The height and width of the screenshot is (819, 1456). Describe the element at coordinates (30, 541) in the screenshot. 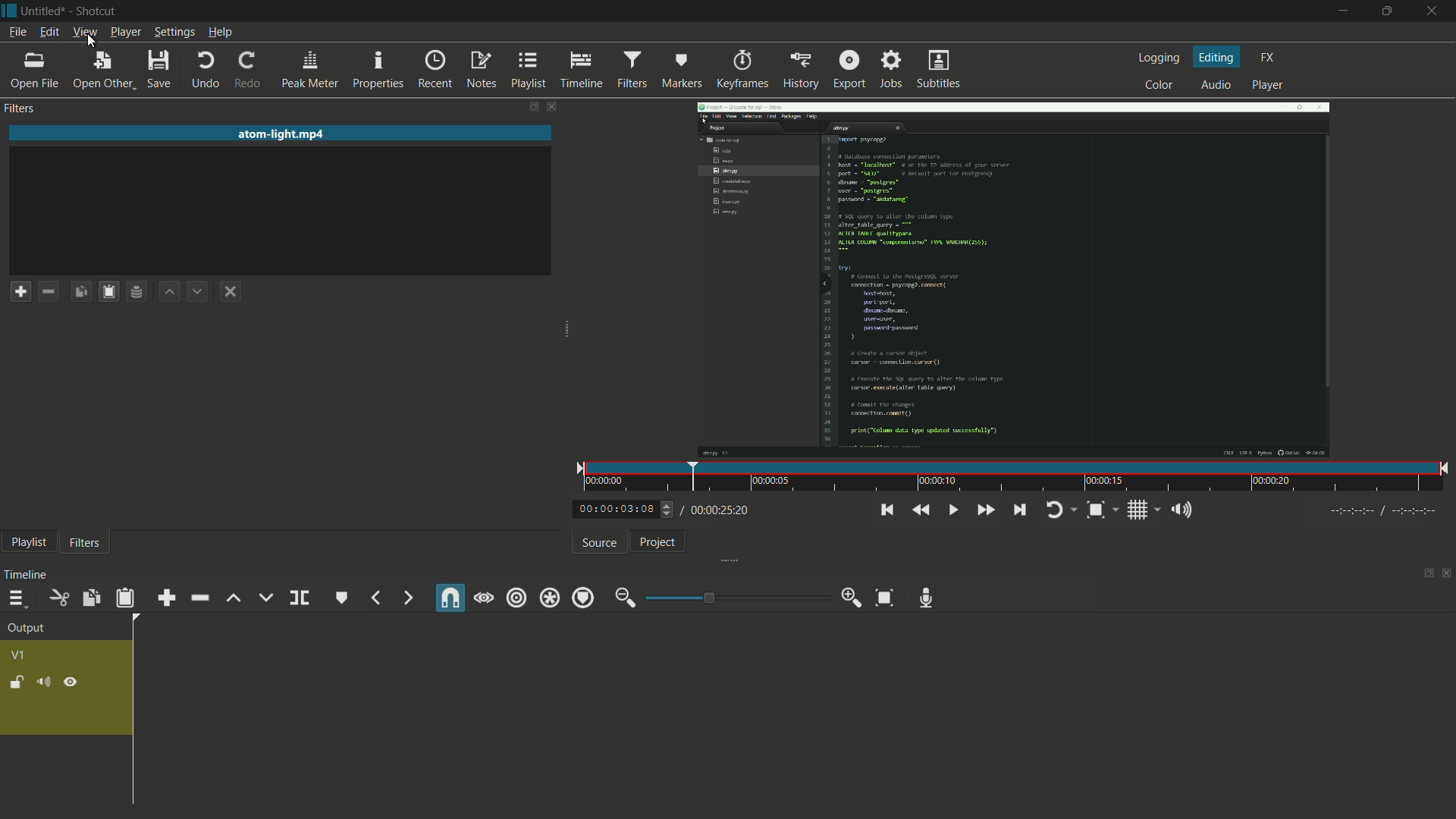

I see `playlist` at that location.